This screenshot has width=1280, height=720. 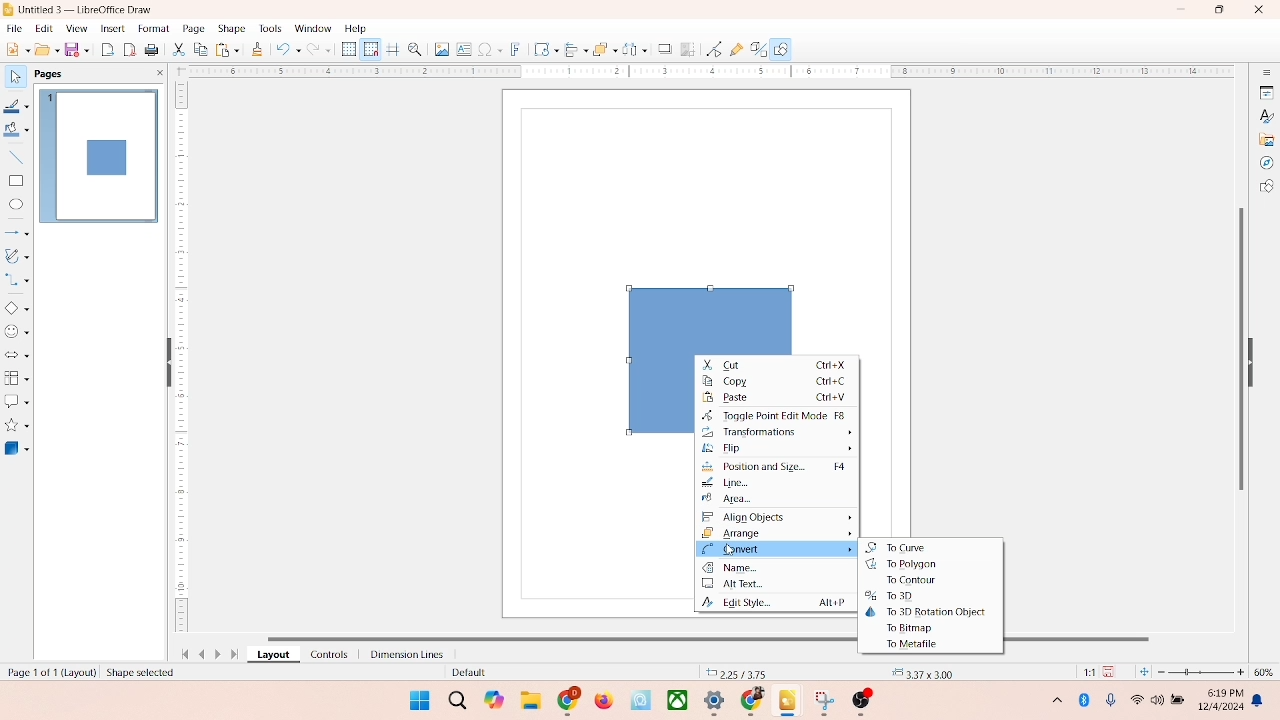 I want to click on first page, so click(x=181, y=652).